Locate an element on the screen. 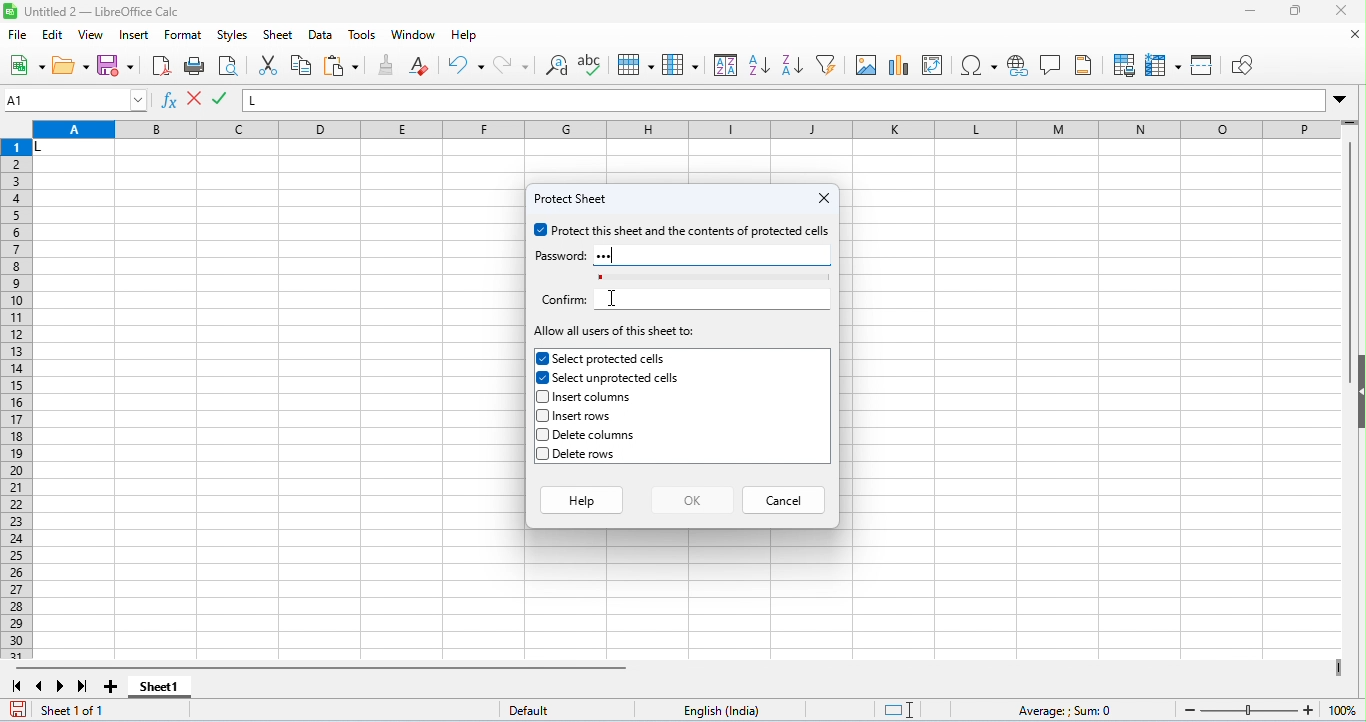 The image size is (1366, 722). format is located at coordinates (185, 37).